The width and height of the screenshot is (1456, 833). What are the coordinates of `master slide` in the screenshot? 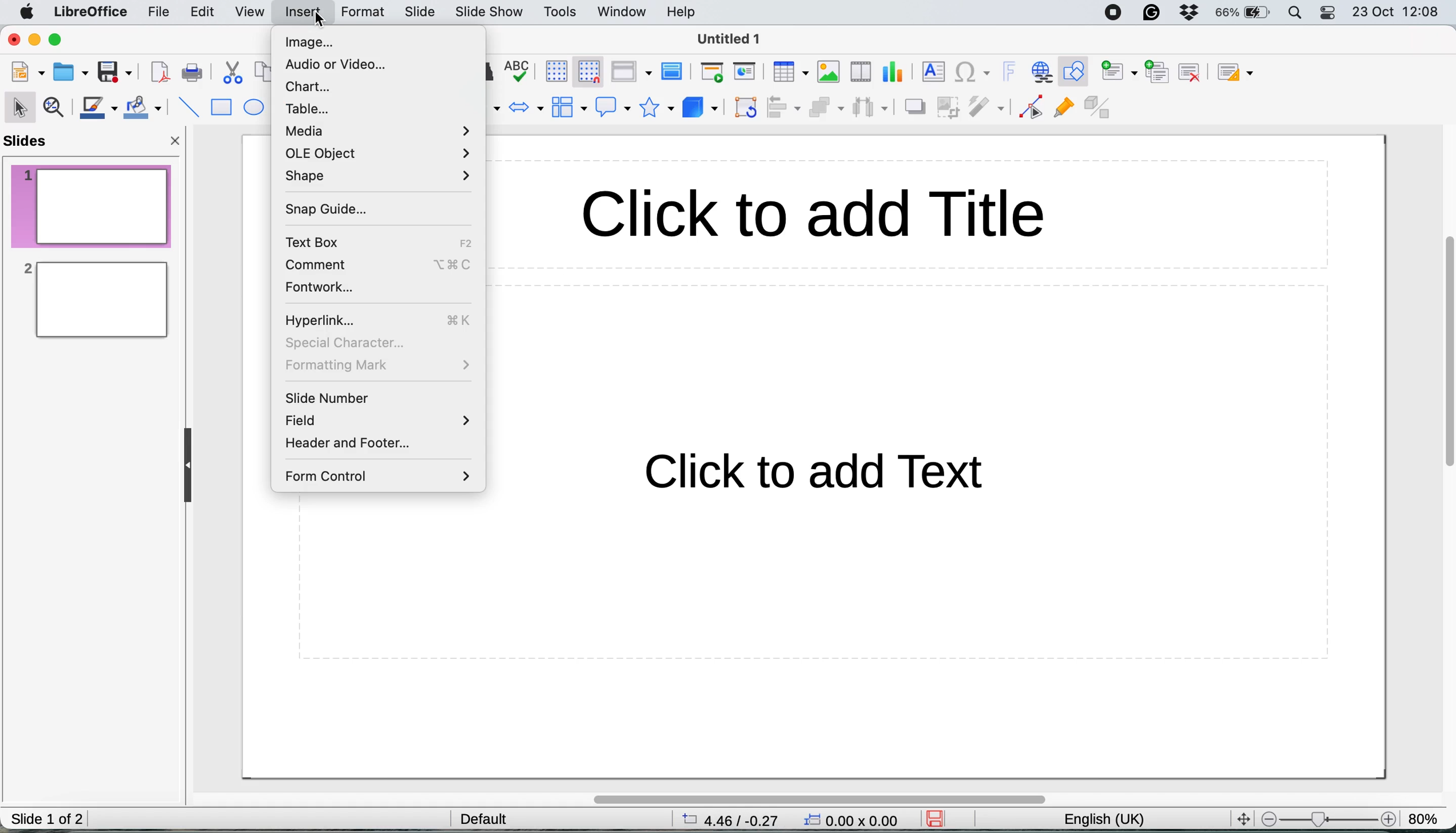 It's located at (675, 72).